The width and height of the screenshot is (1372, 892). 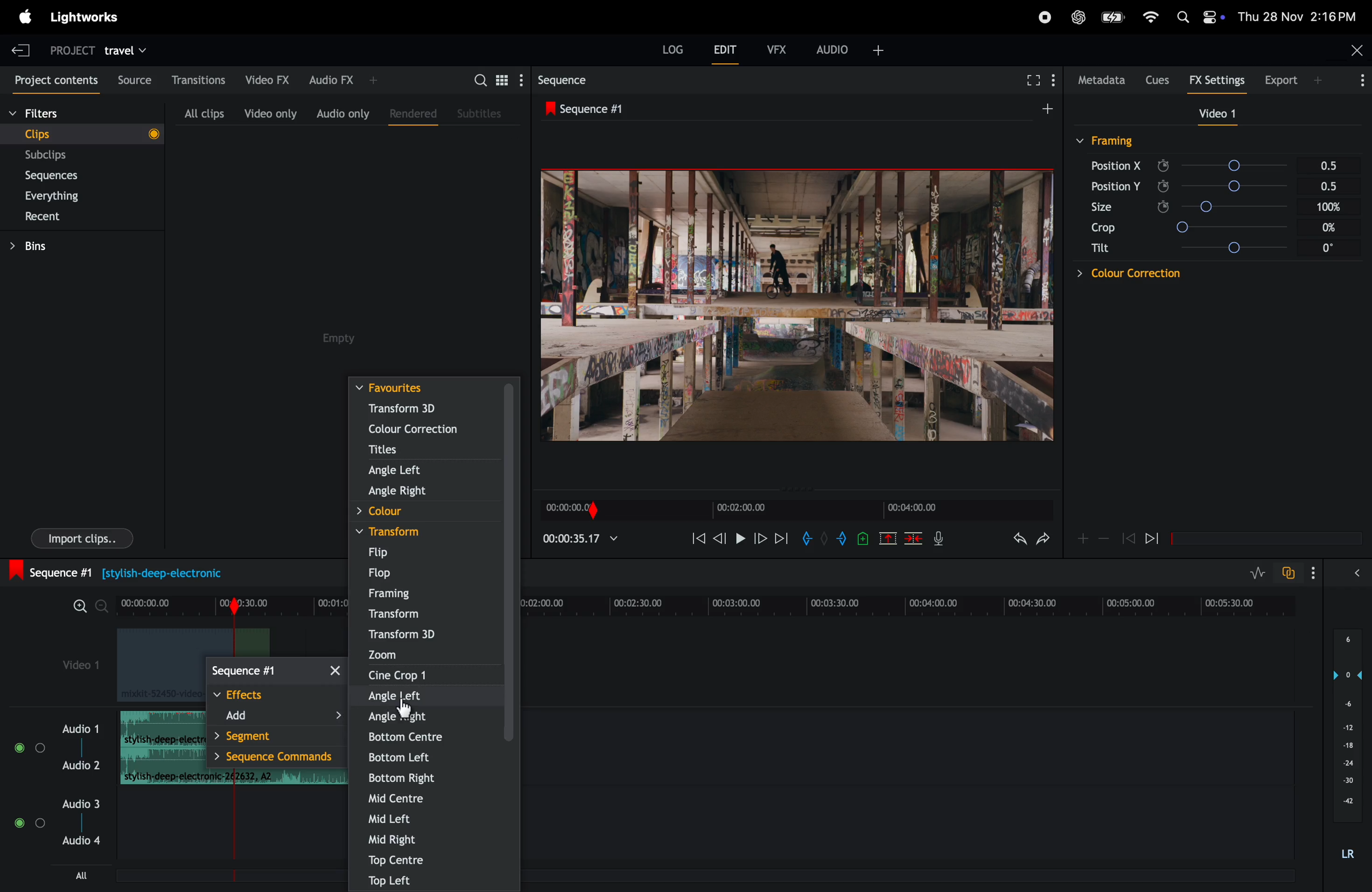 What do you see at coordinates (495, 79) in the screenshot?
I see `search` at bounding box center [495, 79].